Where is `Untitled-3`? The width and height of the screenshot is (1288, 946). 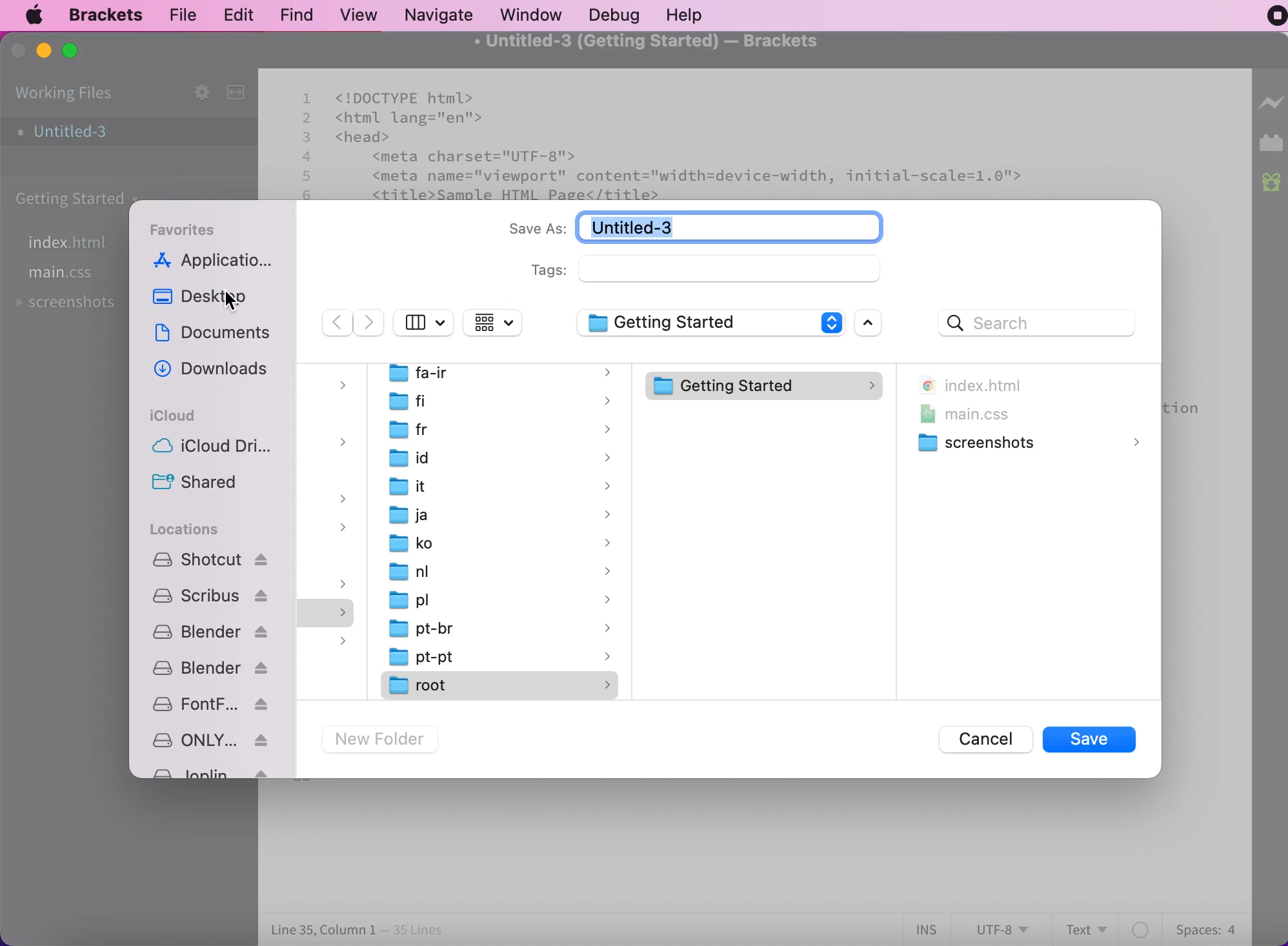
Untitled-3 is located at coordinates (645, 226).